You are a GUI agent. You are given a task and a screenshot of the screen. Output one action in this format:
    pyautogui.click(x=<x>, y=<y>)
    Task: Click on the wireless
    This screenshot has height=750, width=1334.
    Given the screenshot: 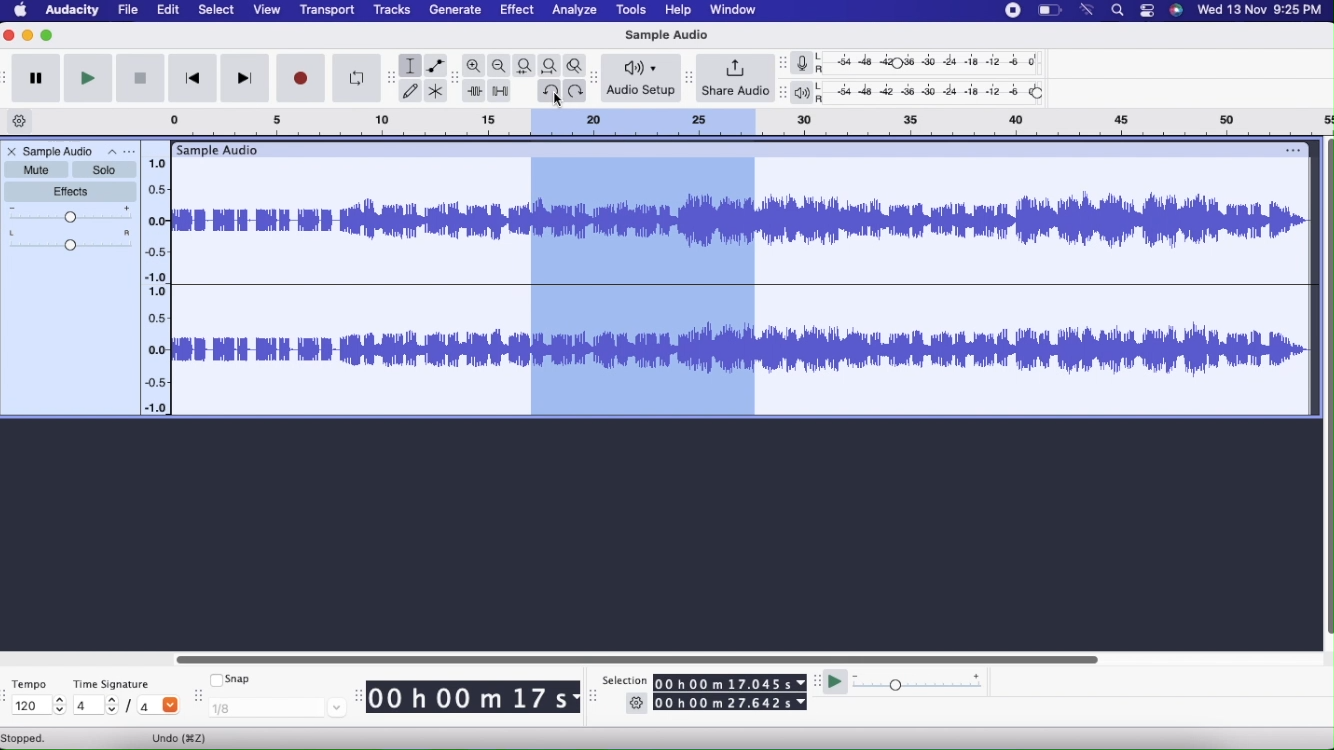 What is the action you would take?
    pyautogui.click(x=1089, y=9)
    